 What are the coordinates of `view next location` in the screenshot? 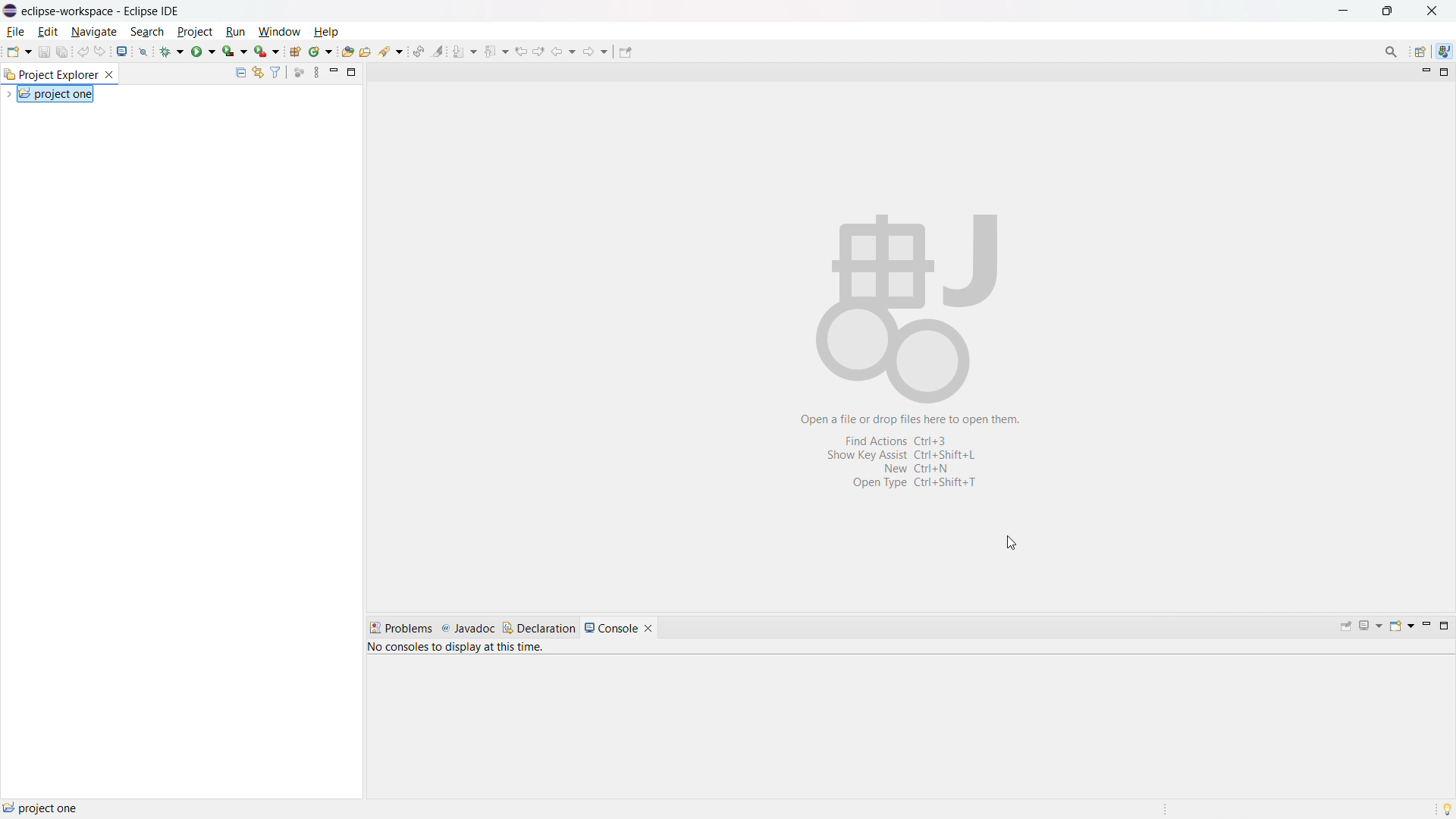 It's located at (538, 49).